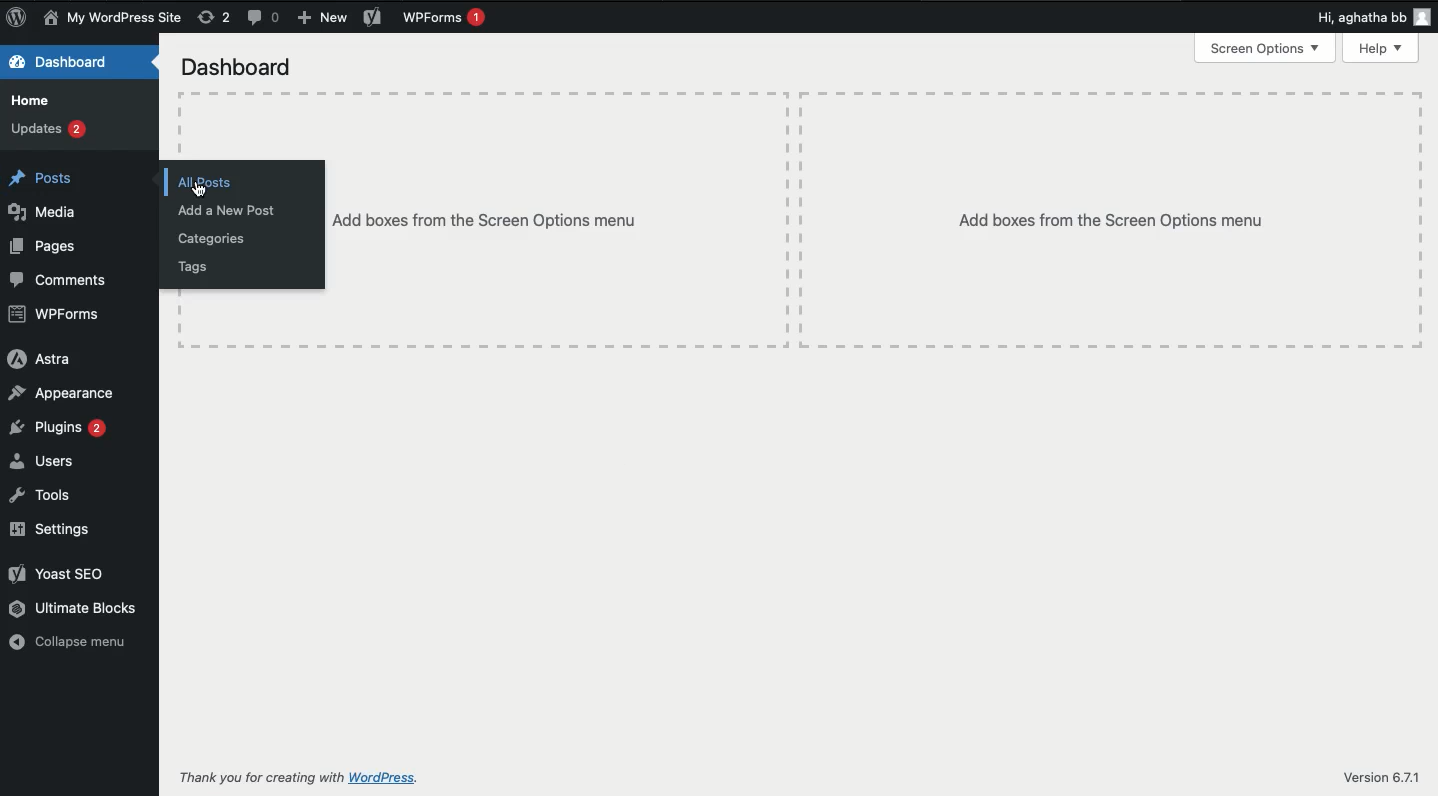  What do you see at coordinates (61, 64) in the screenshot?
I see `Dashboard` at bounding box center [61, 64].